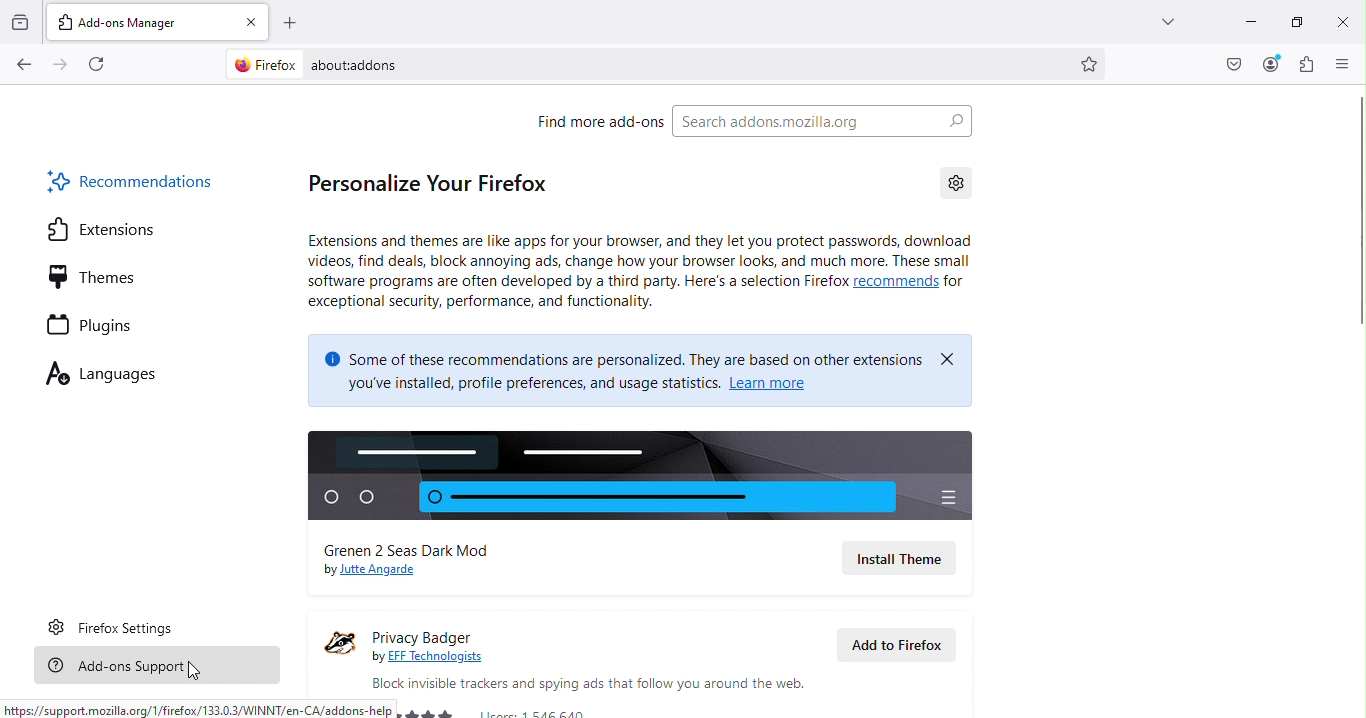 The height and width of the screenshot is (718, 1366). I want to click on Privacy badger, so click(447, 632).